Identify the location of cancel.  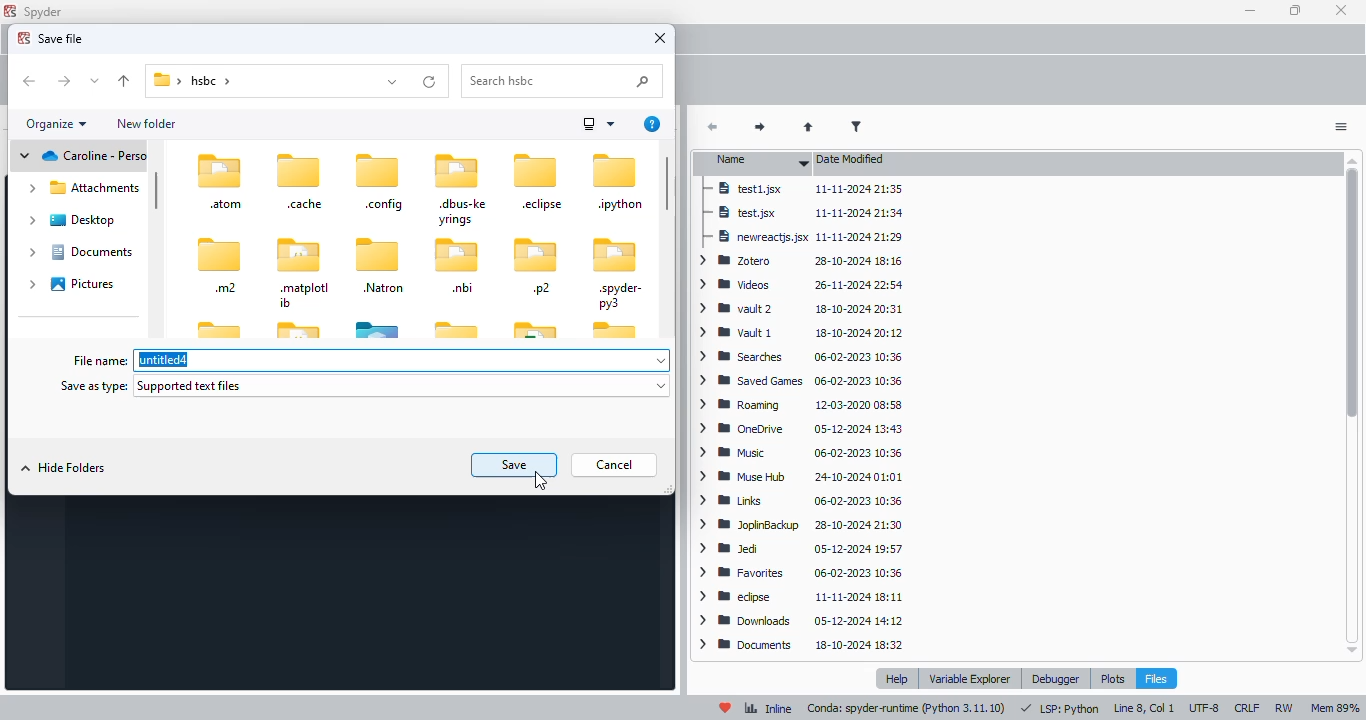
(615, 465).